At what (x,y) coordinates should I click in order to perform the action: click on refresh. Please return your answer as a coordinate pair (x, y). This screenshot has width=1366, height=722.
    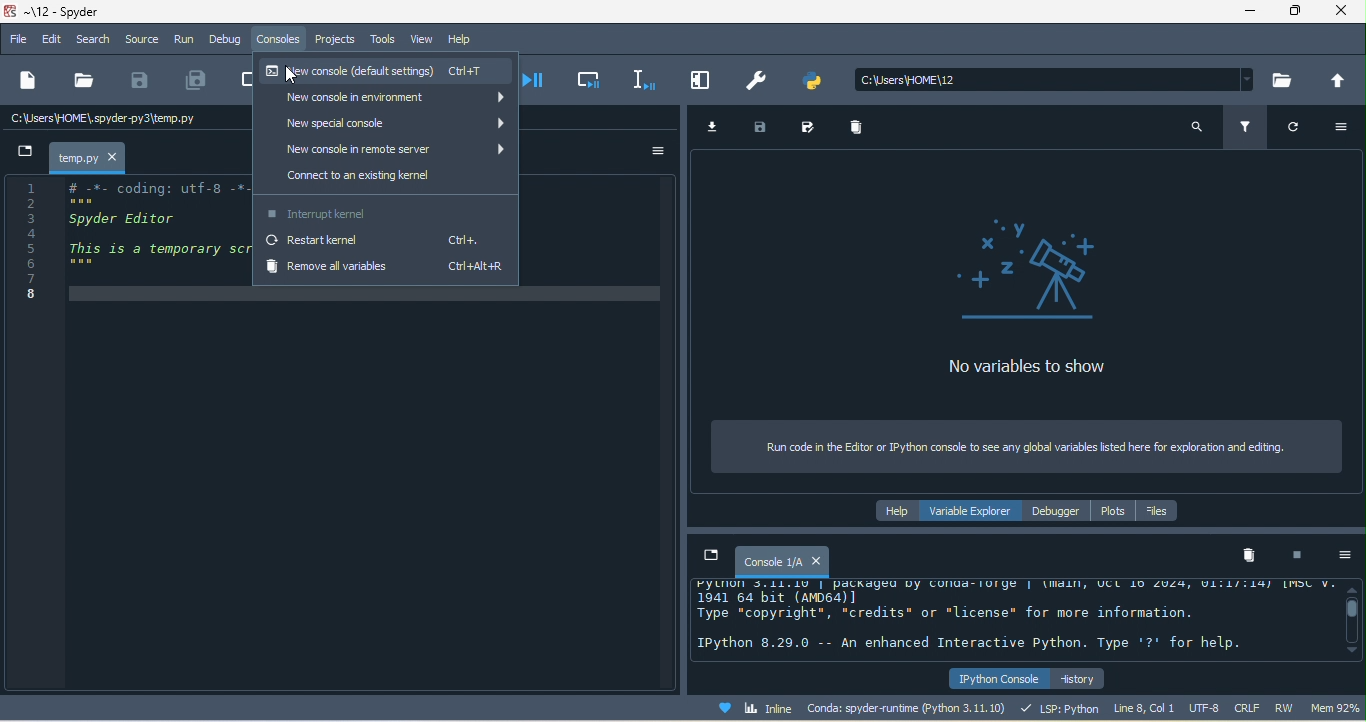
    Looking at the image, I should click on (1301, 132).